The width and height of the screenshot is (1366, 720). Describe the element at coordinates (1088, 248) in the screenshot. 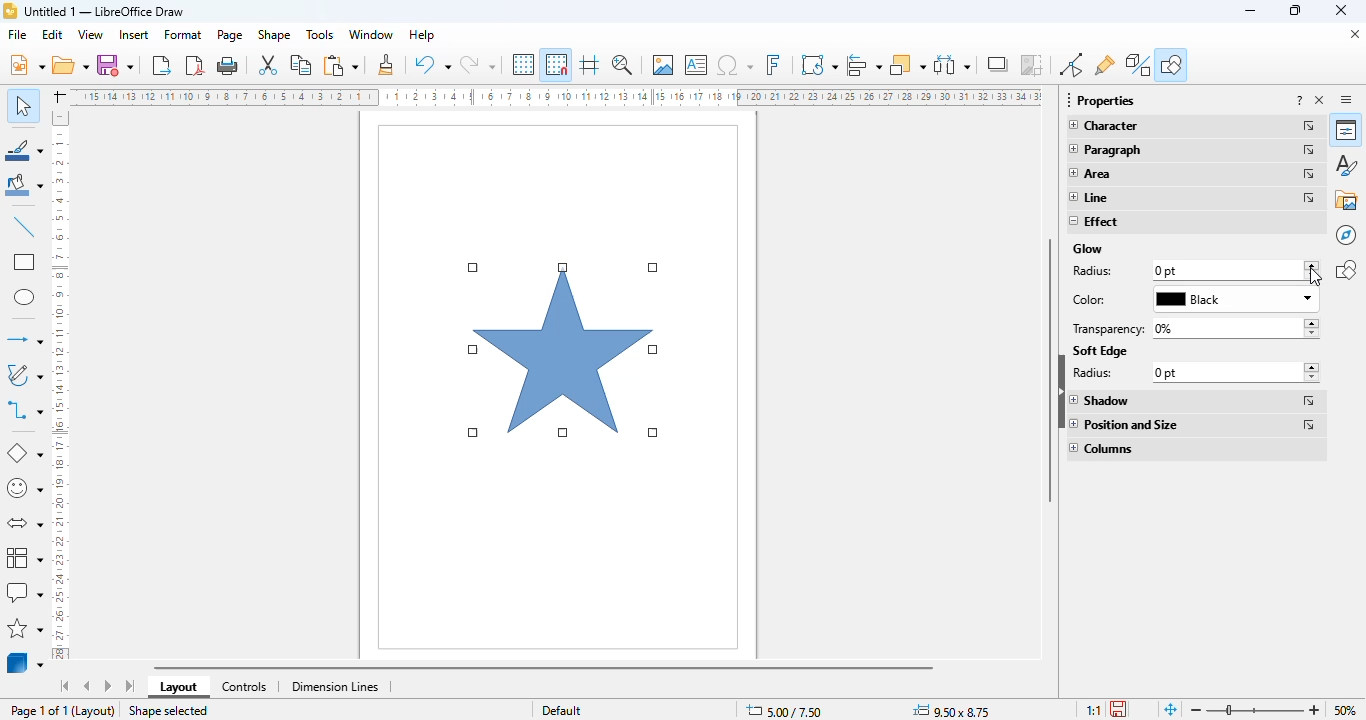

I see `glow` at that location.